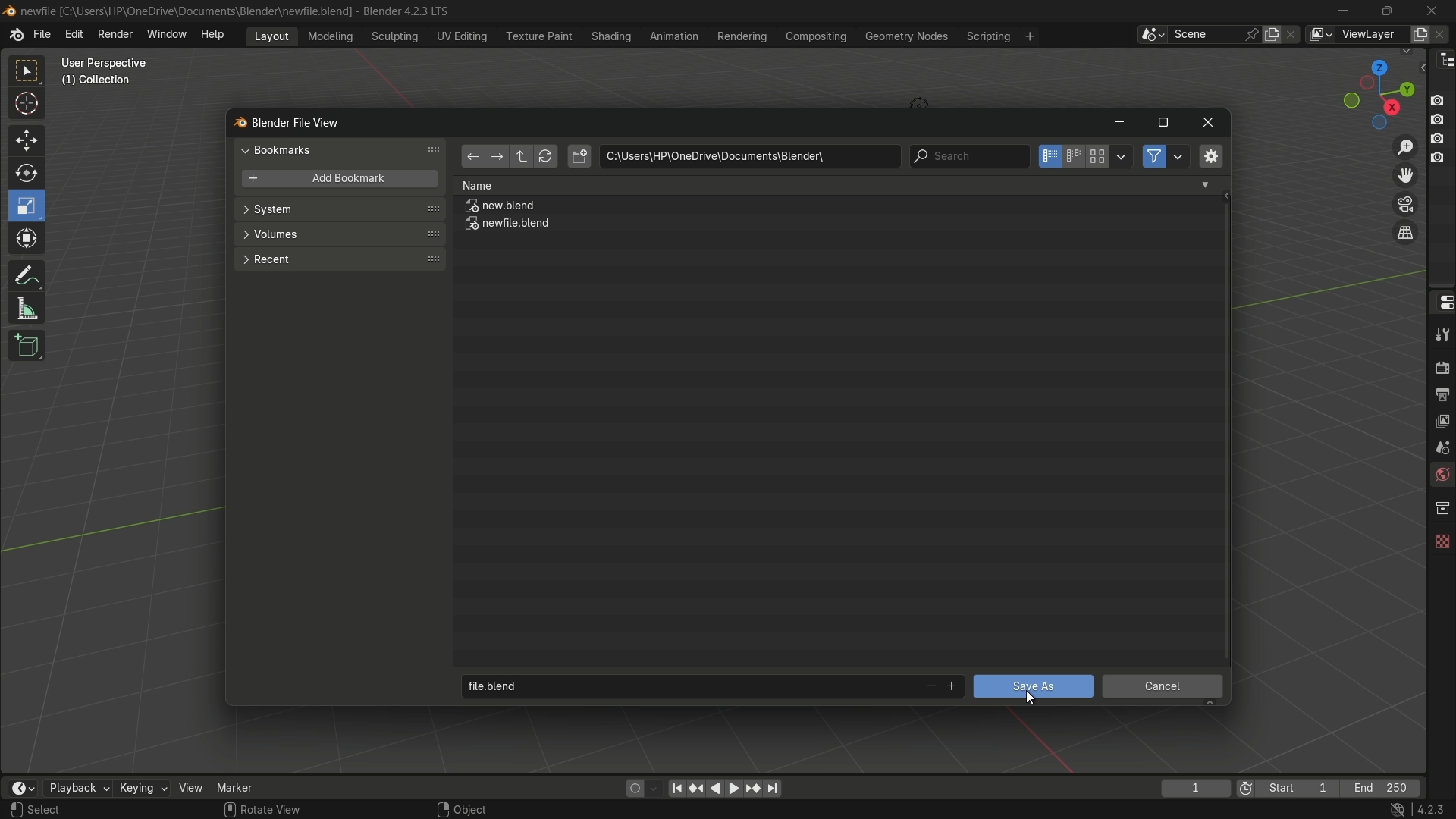 Image resolution: width=1456 pixels, height=819 pixels. What do you see at coordinates (697, 786) in the screenshot?
I see `jump to keyframe` at bounding box center [697, 786].